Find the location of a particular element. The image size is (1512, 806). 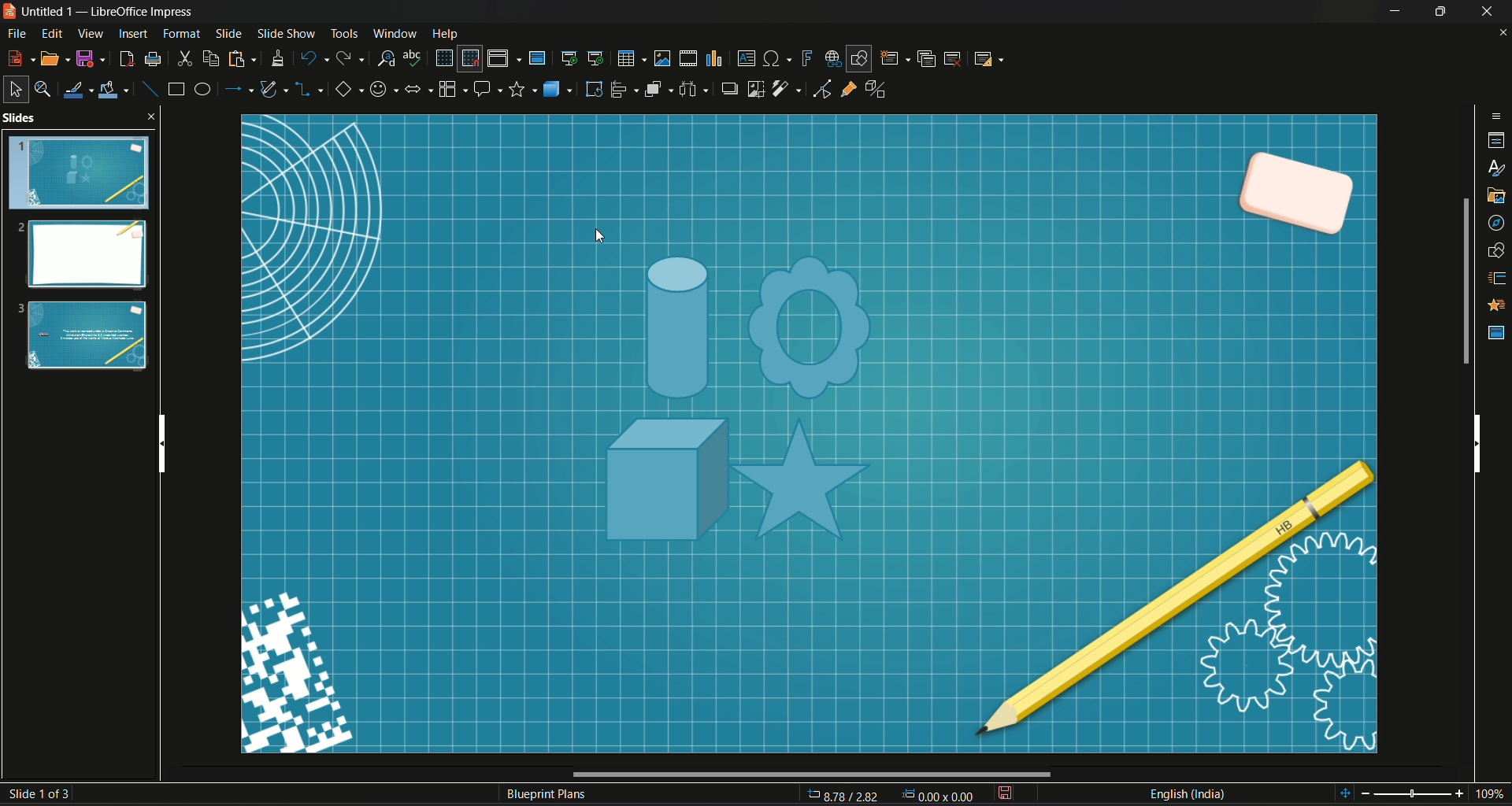

shapes is located at coordinates (1497, 251).